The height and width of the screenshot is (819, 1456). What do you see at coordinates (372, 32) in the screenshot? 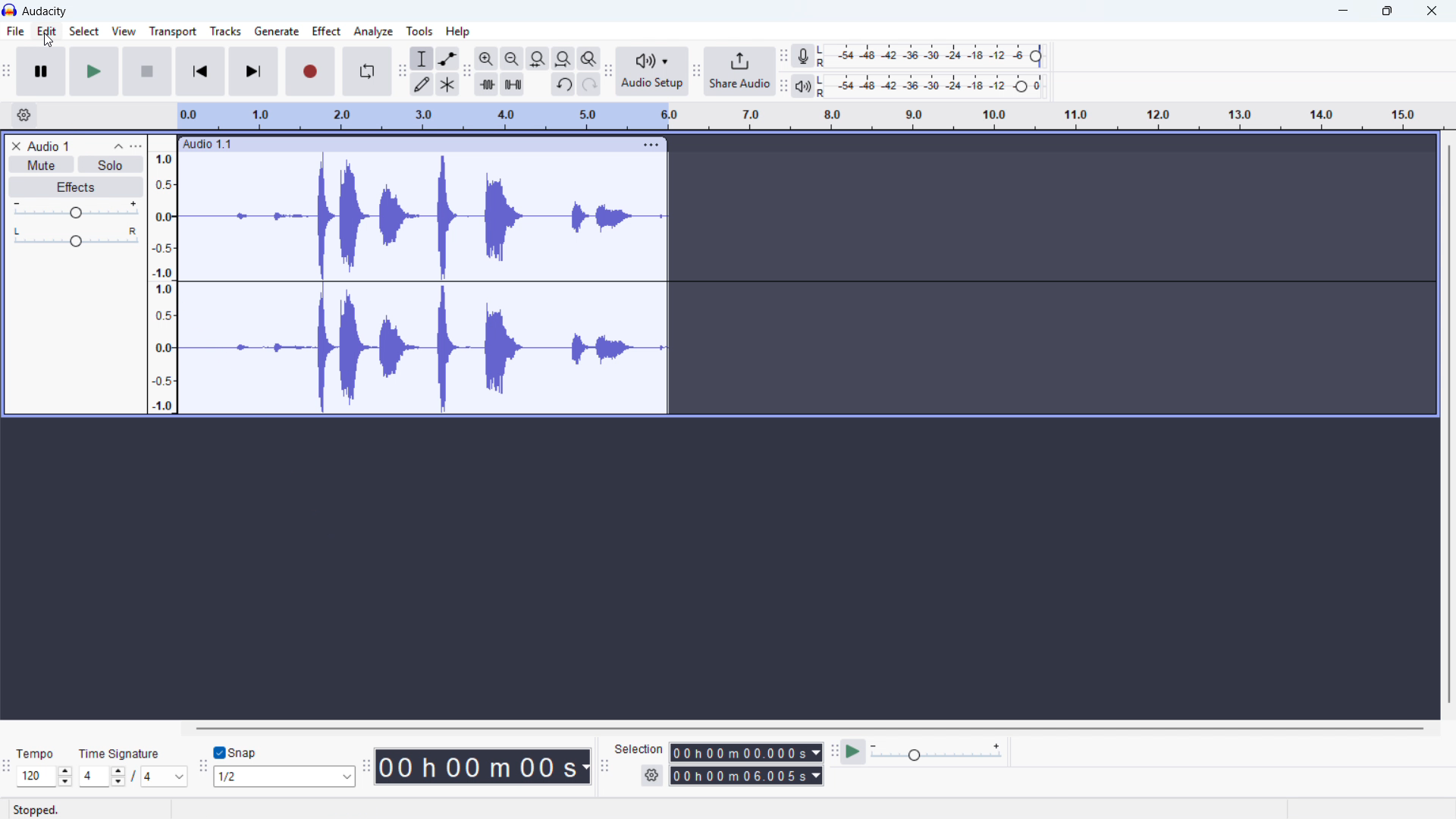
I see `analyze` at bounding box center [372, 32].